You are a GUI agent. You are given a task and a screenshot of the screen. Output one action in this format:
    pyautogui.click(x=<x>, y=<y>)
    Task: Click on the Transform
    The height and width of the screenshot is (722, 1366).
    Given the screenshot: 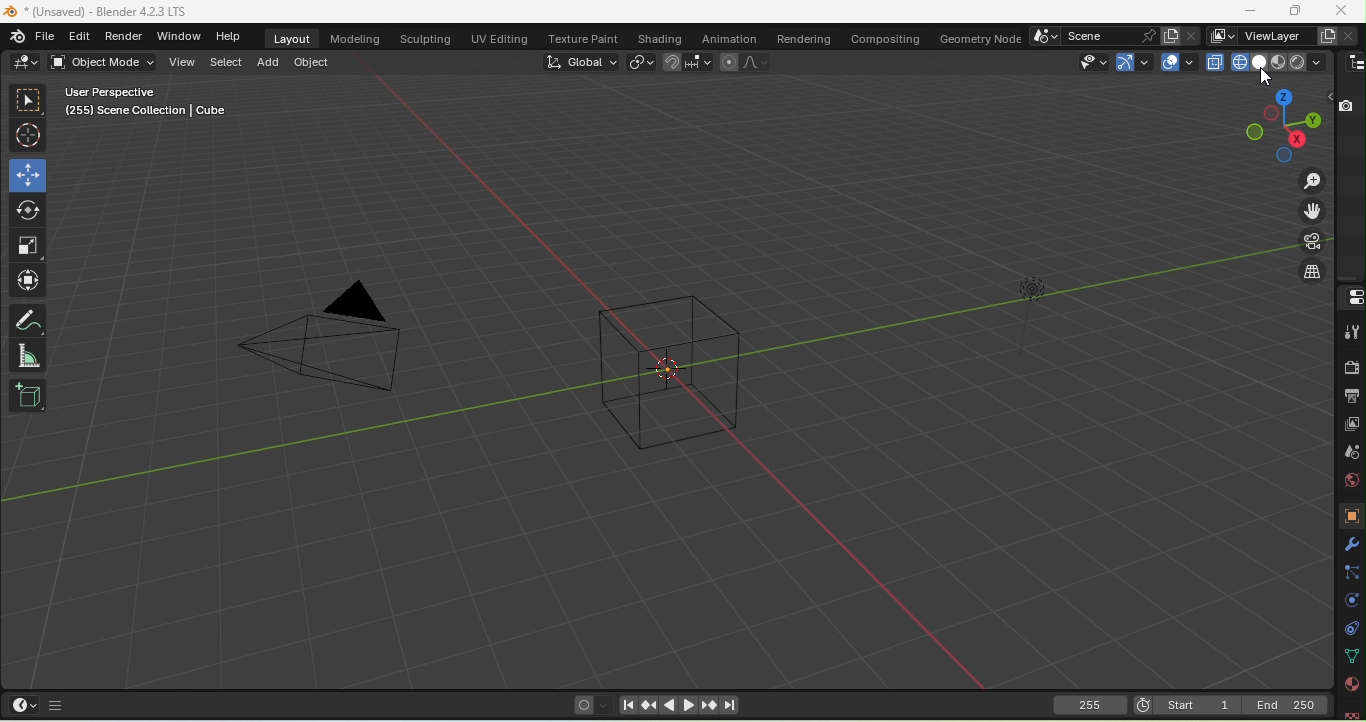 What is the action you would take?
    pyautogui.click(x=31, y=280)
    